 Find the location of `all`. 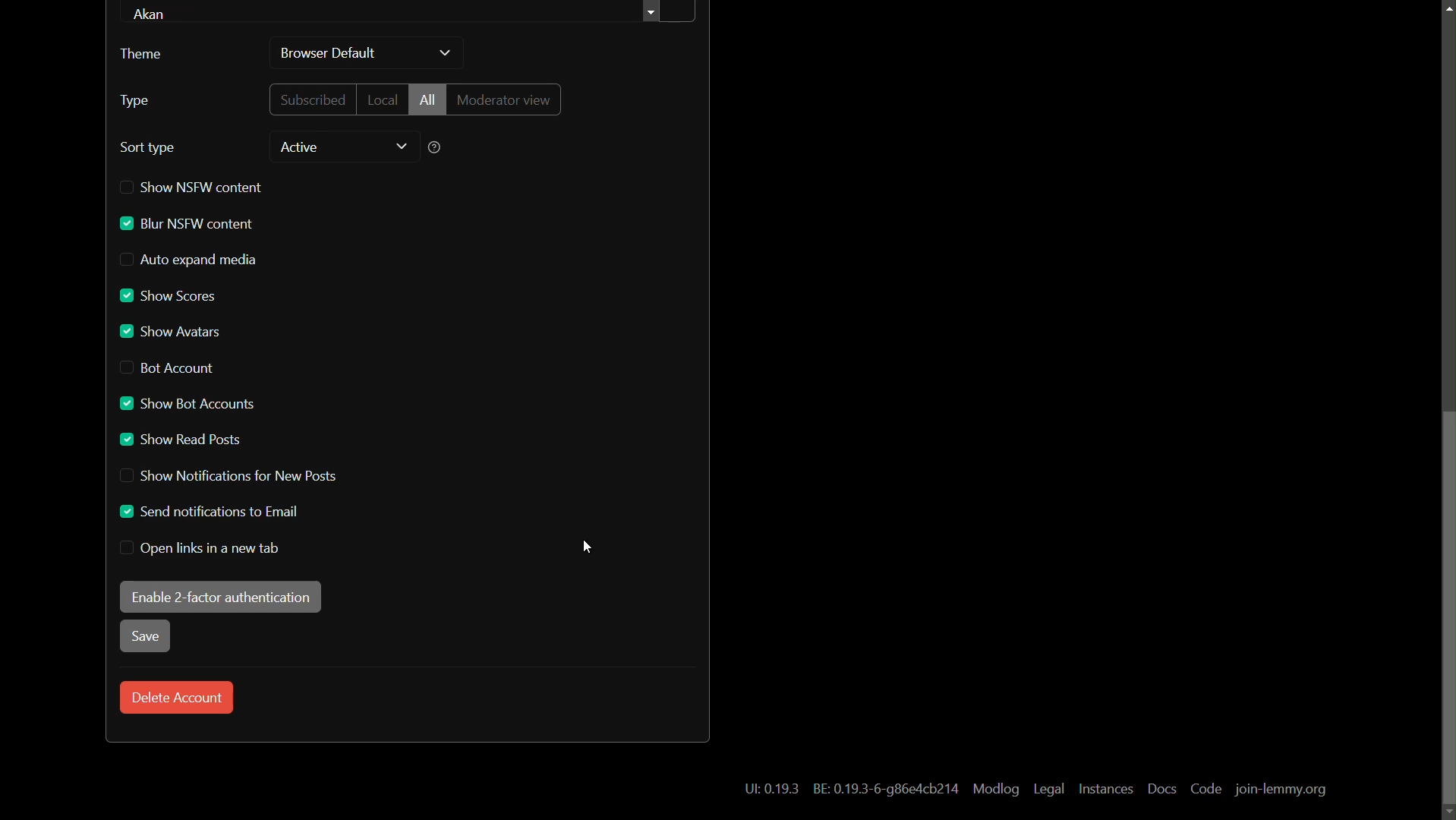

all is located at coordinates (427, 99).